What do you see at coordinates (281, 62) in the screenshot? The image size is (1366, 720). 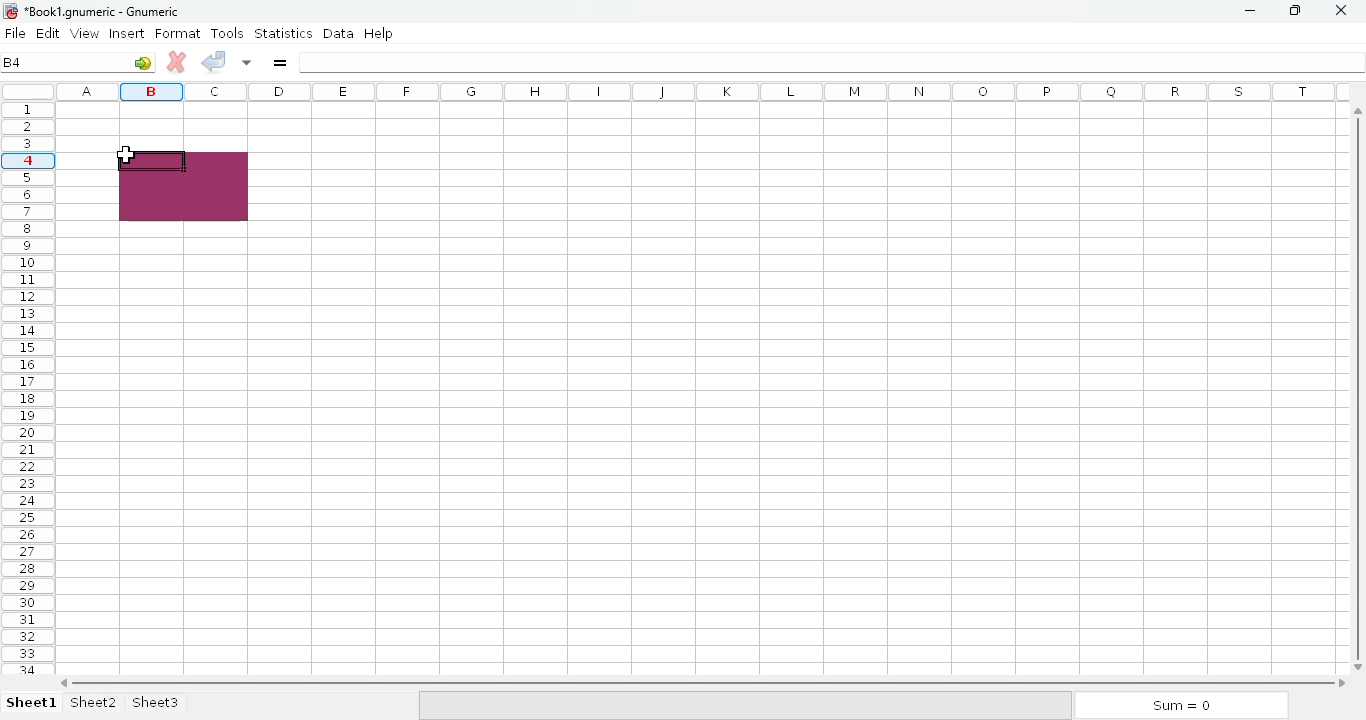 I see `enter formula` at bounding box center [281, 62].